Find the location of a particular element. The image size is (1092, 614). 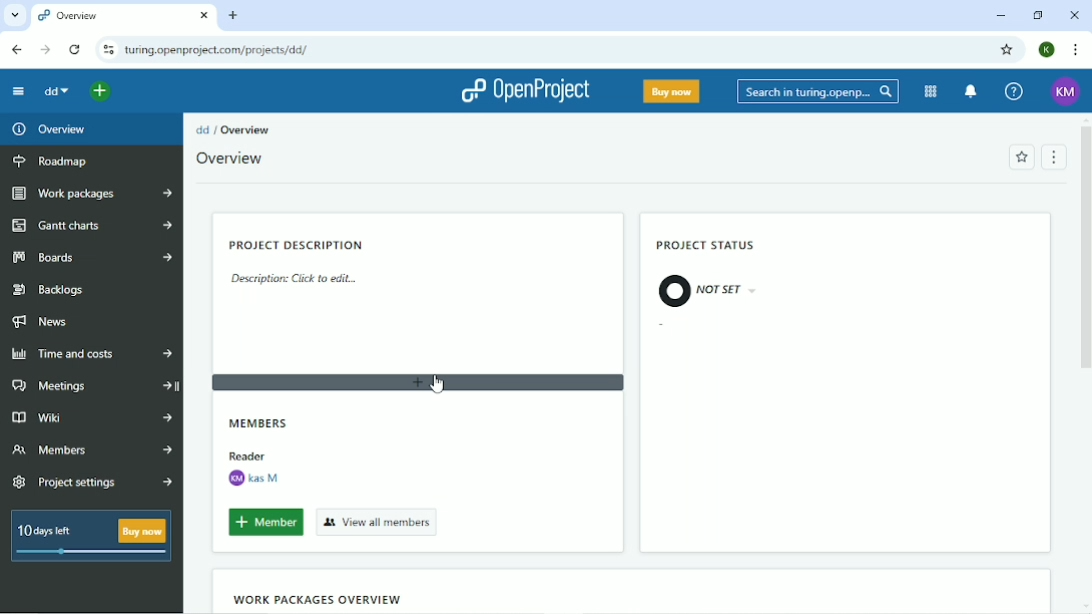

Collapse project menu is located at coordinates (19, 92).